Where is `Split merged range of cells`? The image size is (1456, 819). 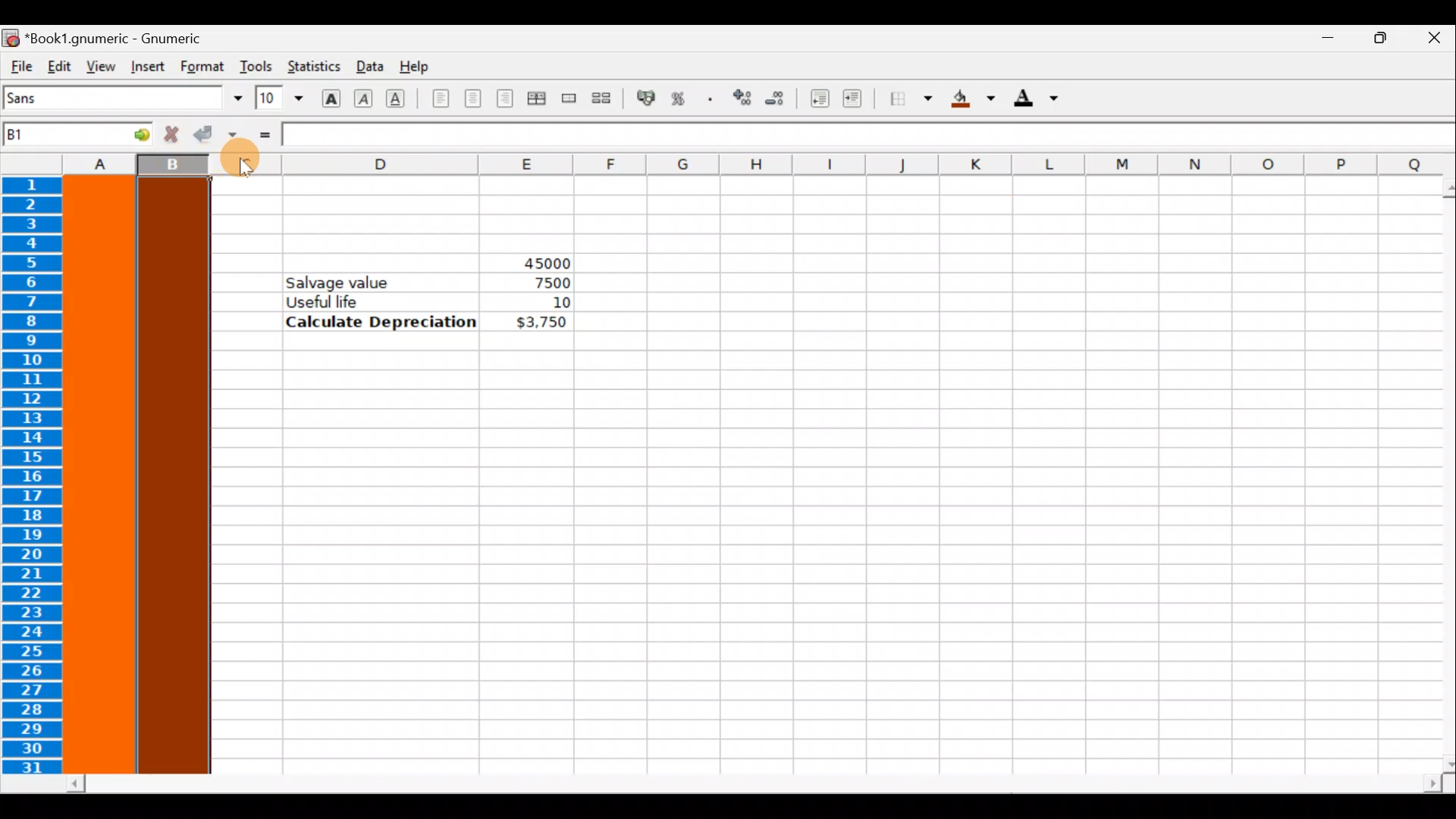 Split merged range of cells is located at coordinates (602, 97).